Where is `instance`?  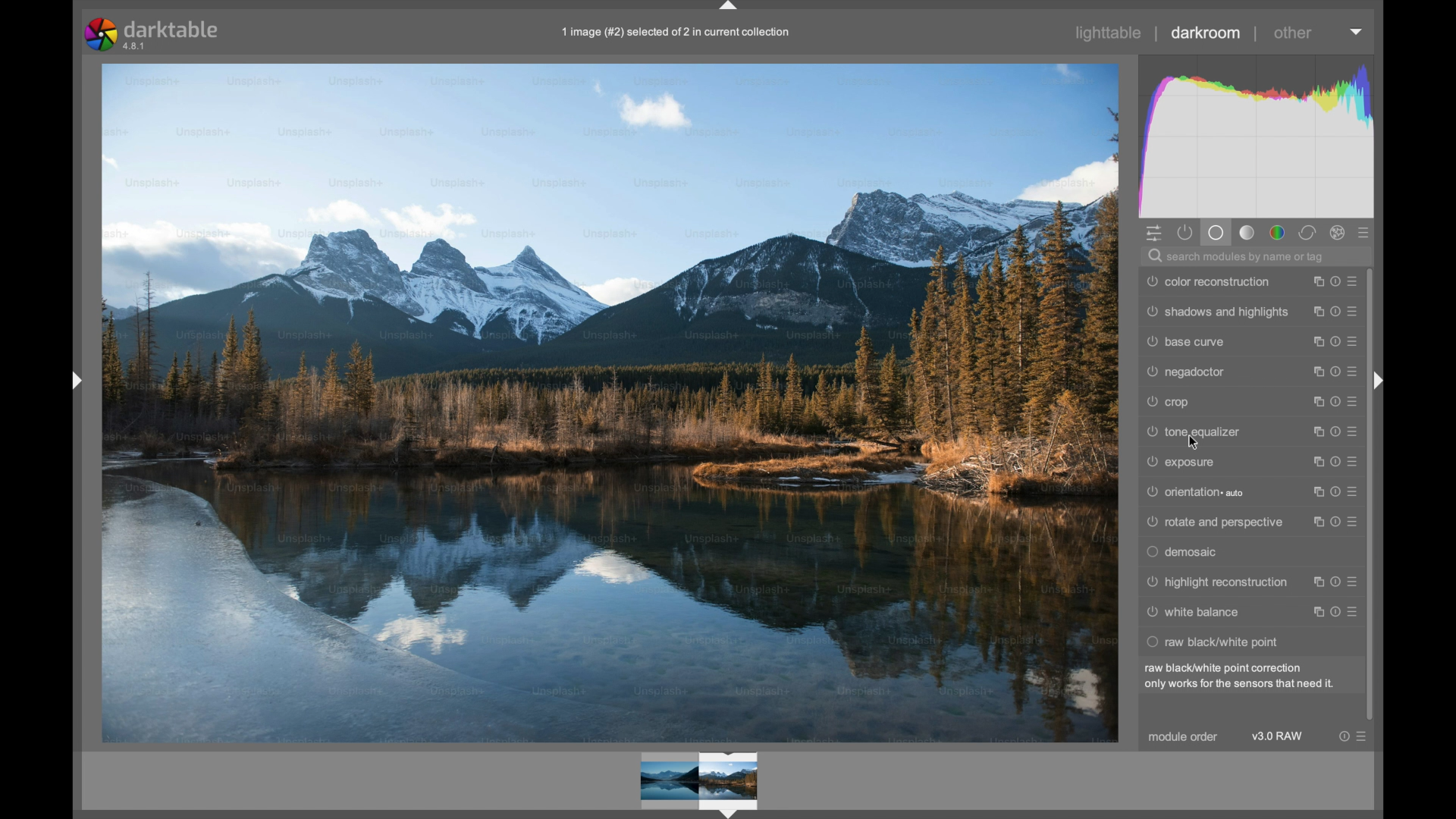
instance is located at coordinates (1313, 401).